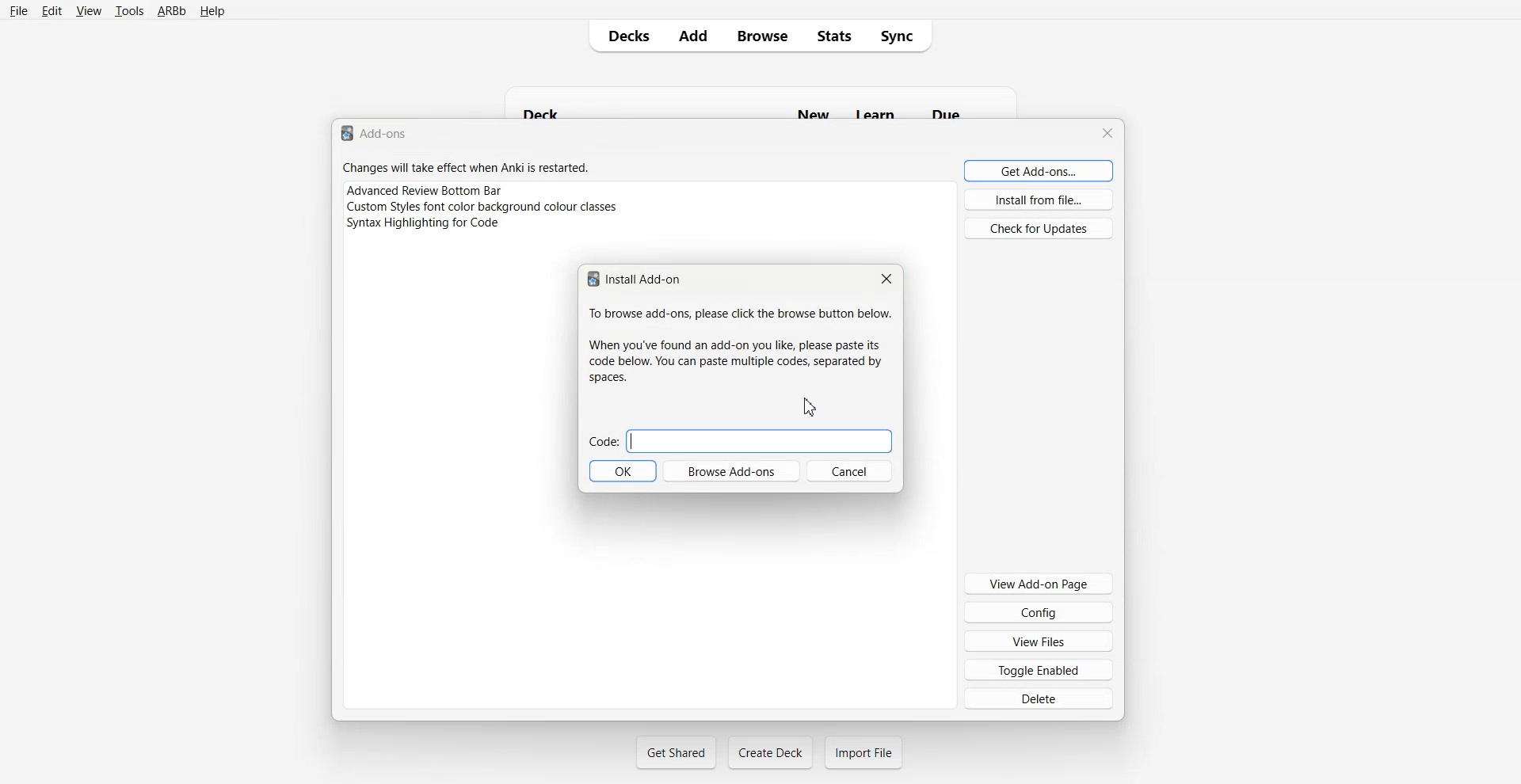 The width and height of the screenshot is (1521, 784). Describe the element at coordinates (623, 35) in the screenshot. I see `Decks` at that location.